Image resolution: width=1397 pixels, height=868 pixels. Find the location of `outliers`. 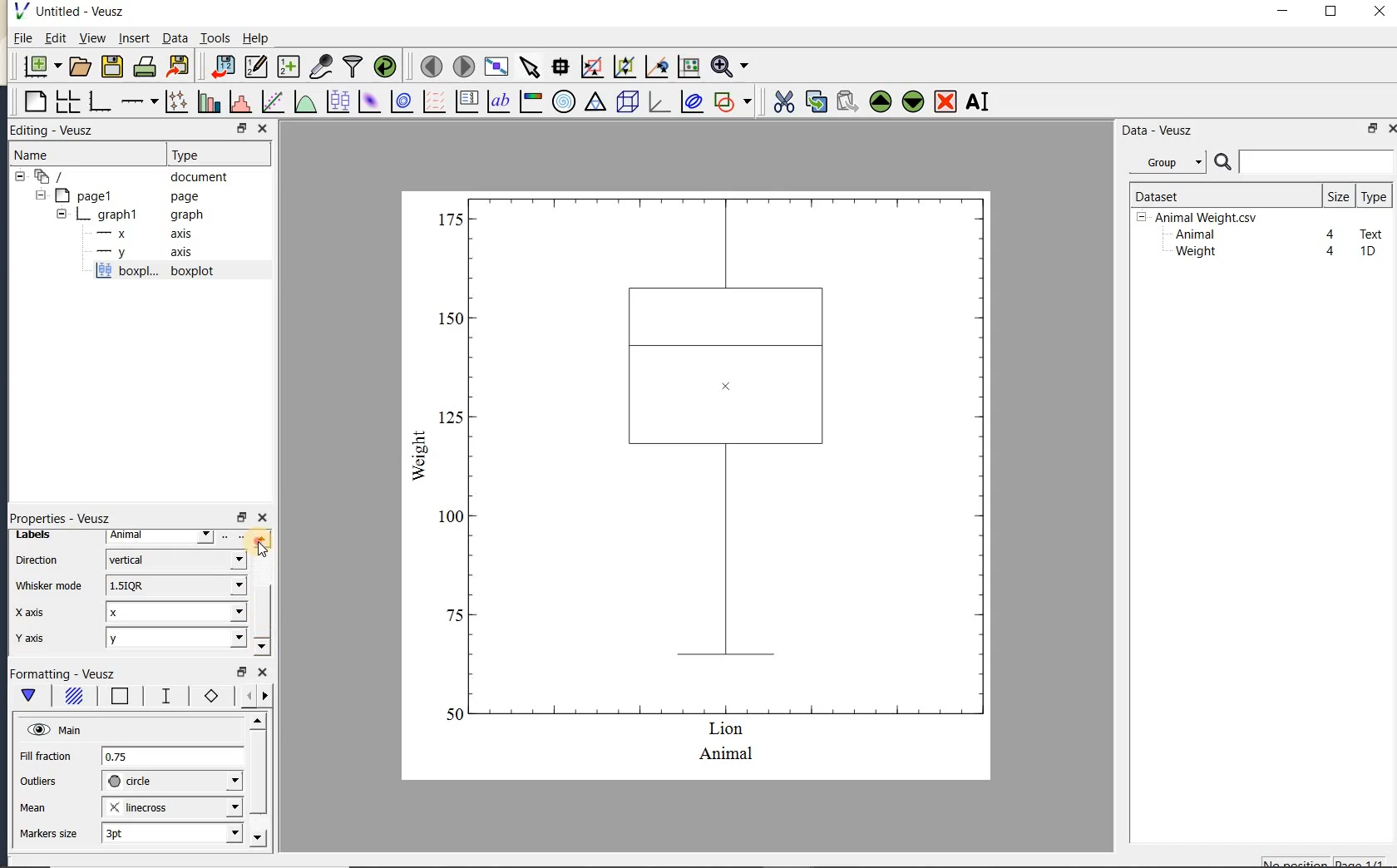

outliers is located at coordinates (39, 782).